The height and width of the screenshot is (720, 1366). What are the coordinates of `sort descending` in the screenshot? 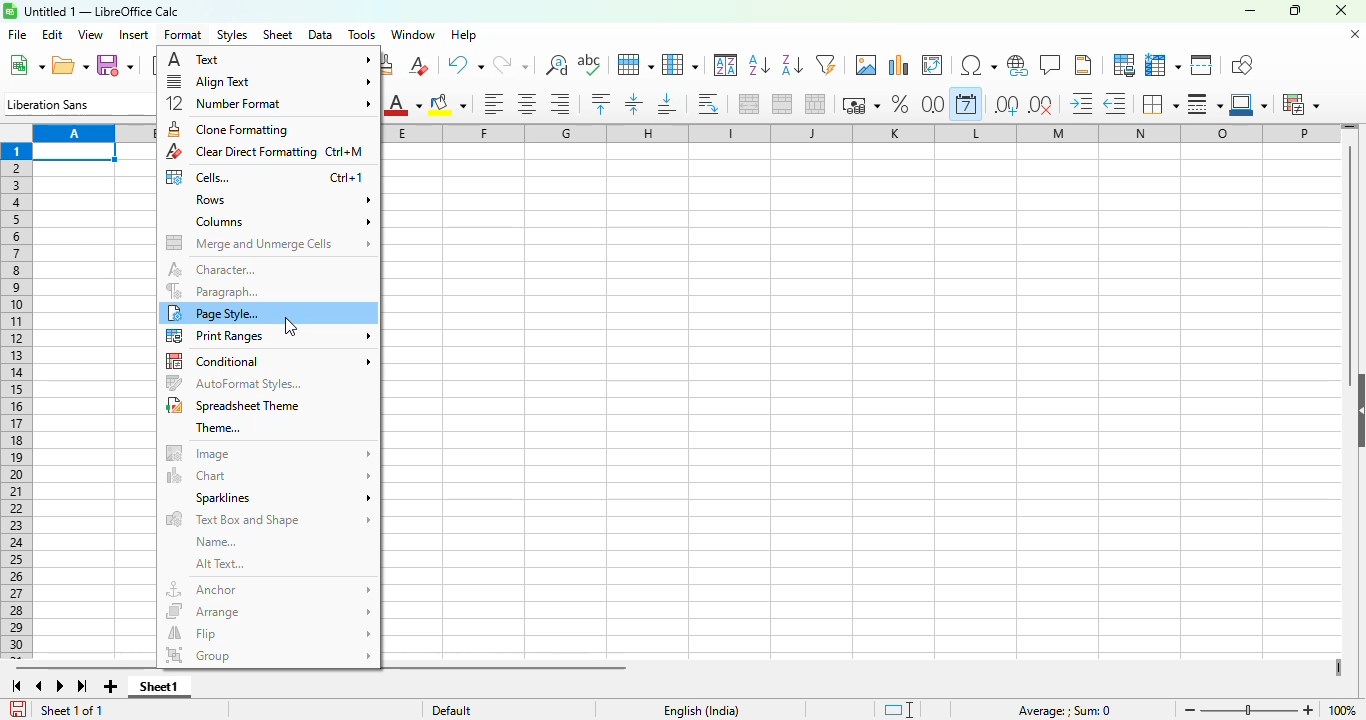 It's located at (792, 65).